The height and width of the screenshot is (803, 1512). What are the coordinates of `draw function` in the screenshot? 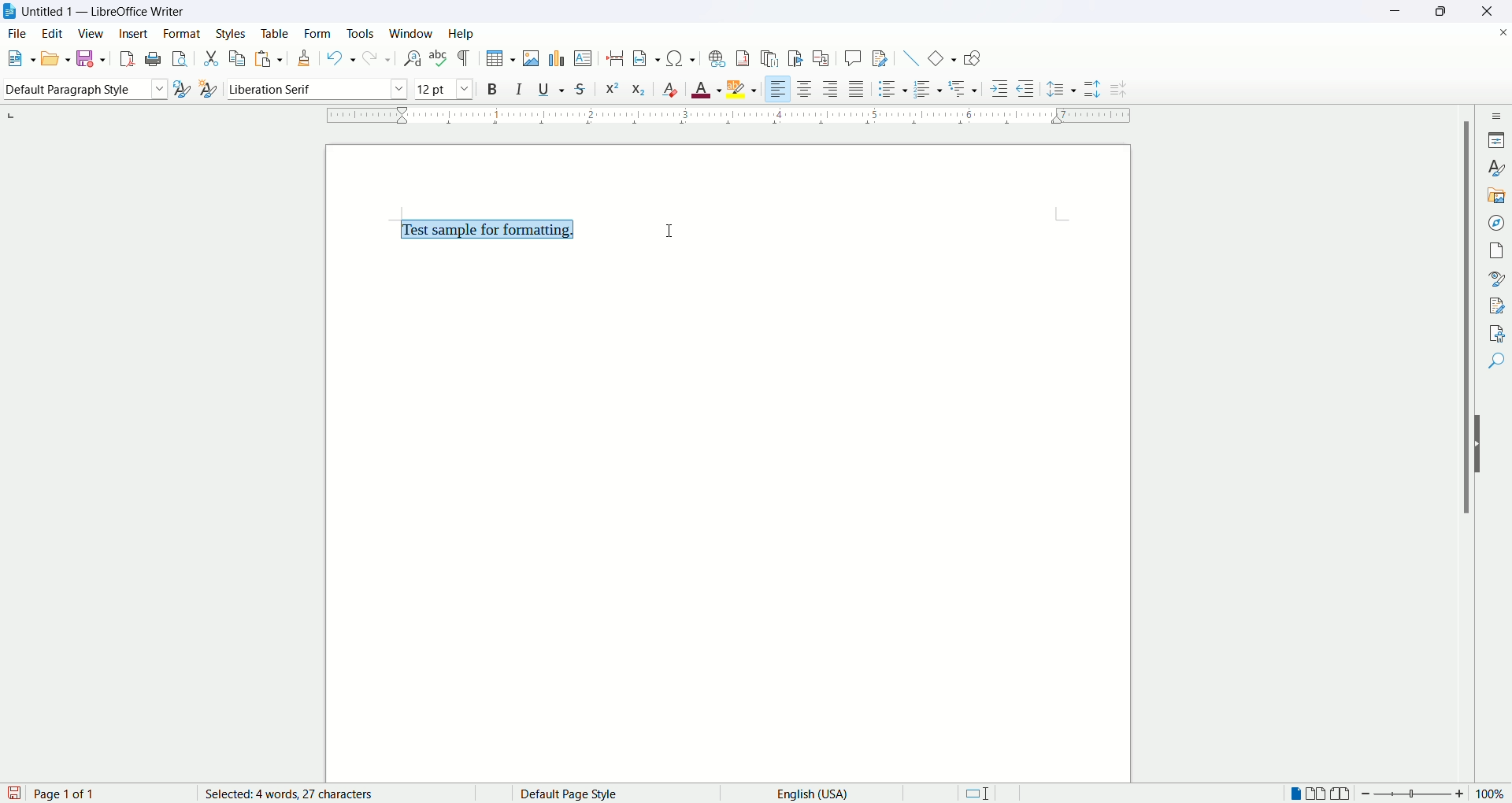 It's located at (974, 58).